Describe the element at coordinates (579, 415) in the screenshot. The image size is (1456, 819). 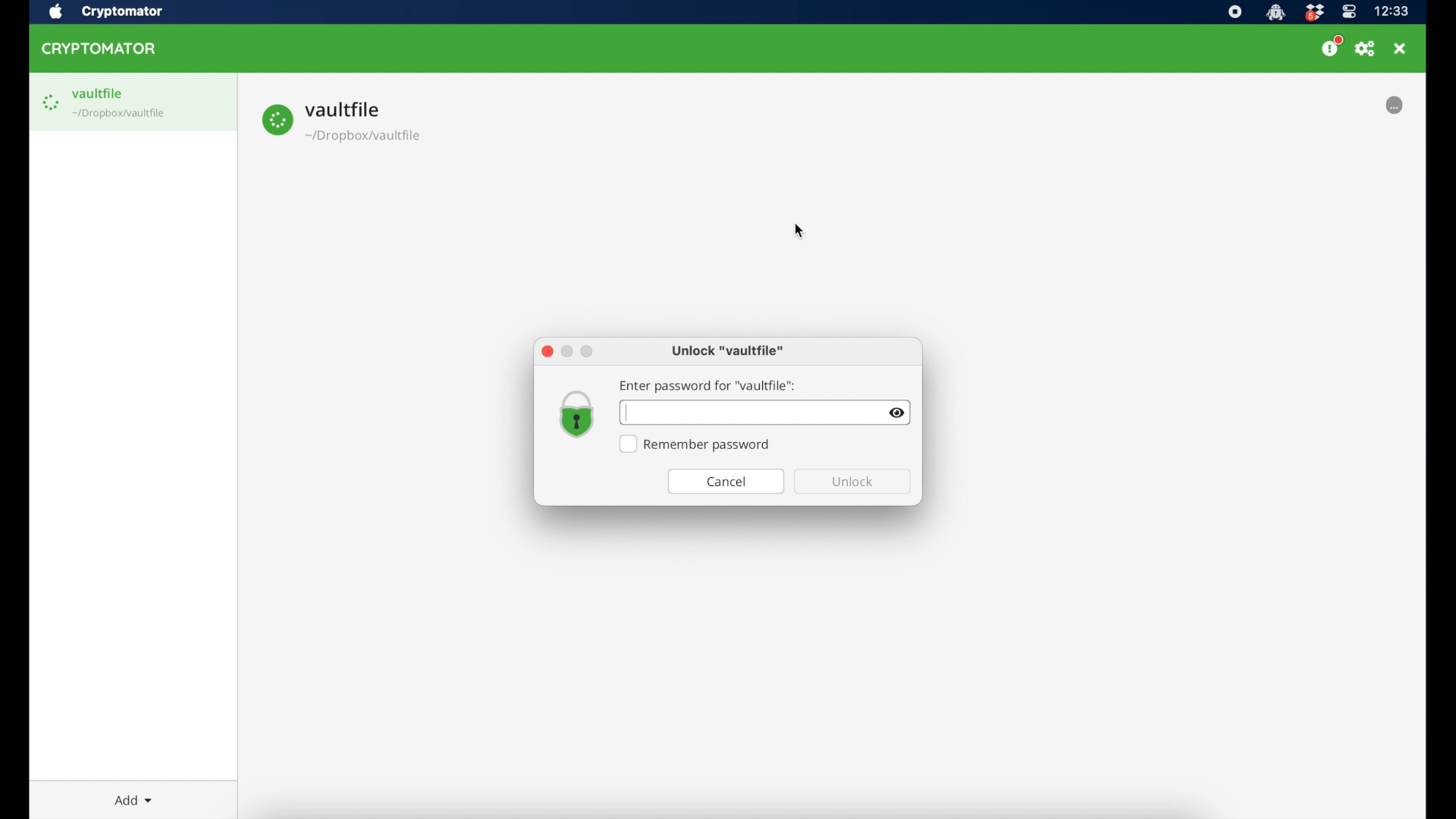
I see `lock icon` at that location.